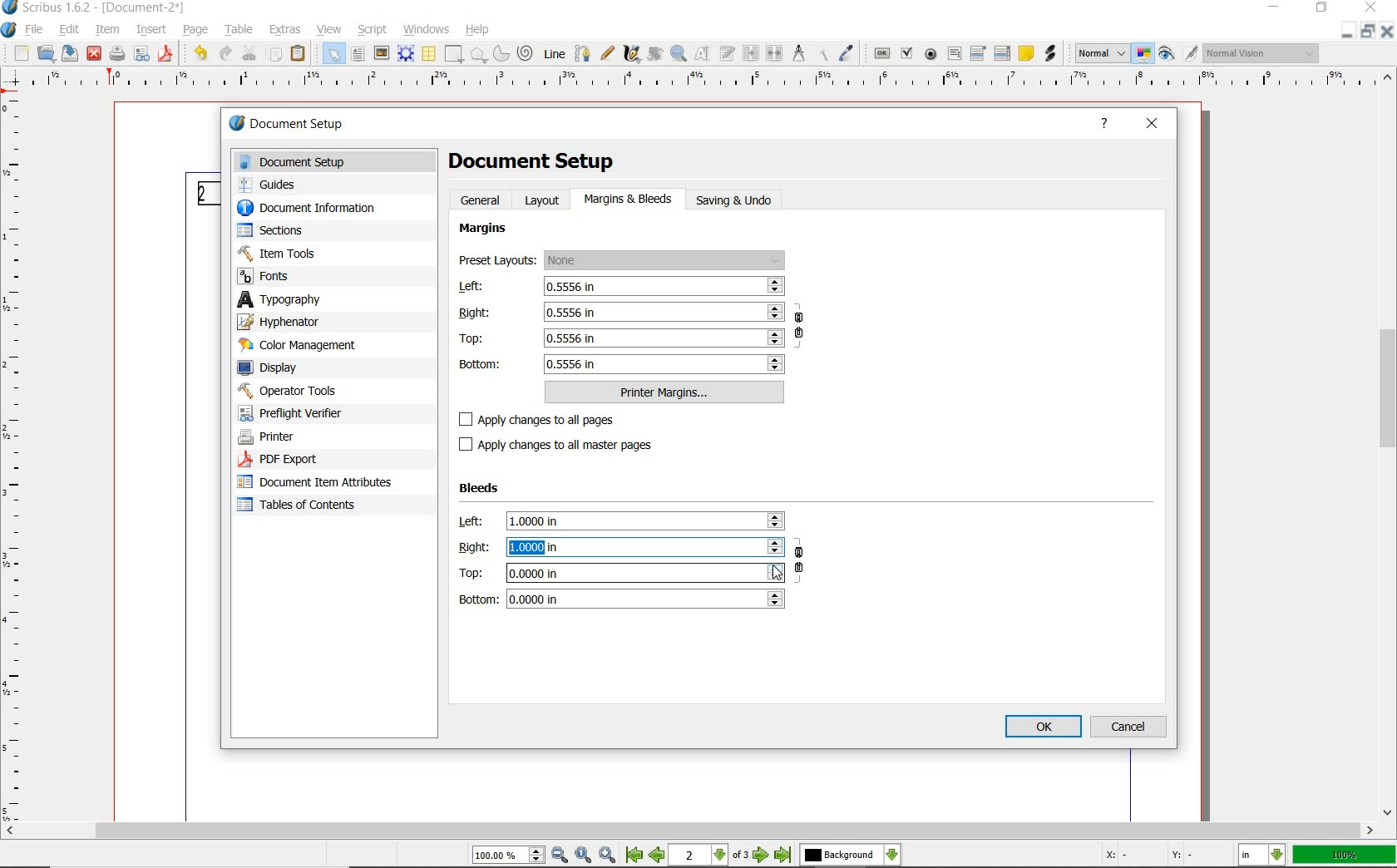 The height and width of the screenshot is (868, 1397). What do you see at coordinates (1263, 856) in the screenshot?
I see `select the current unit: in` at bounding box center [1263, 856].